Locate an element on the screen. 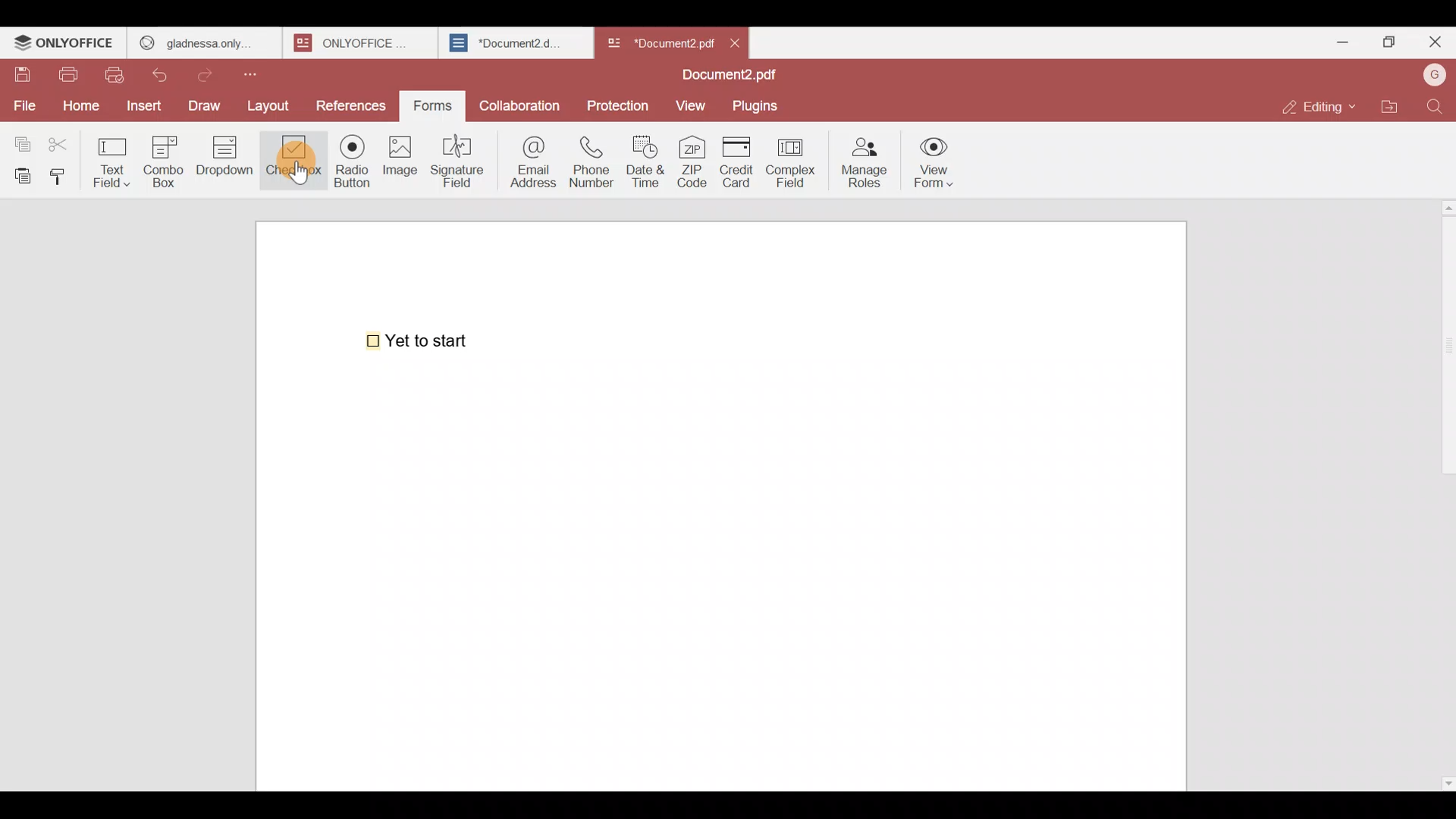  Copy style is located at coordinates (64, 173).